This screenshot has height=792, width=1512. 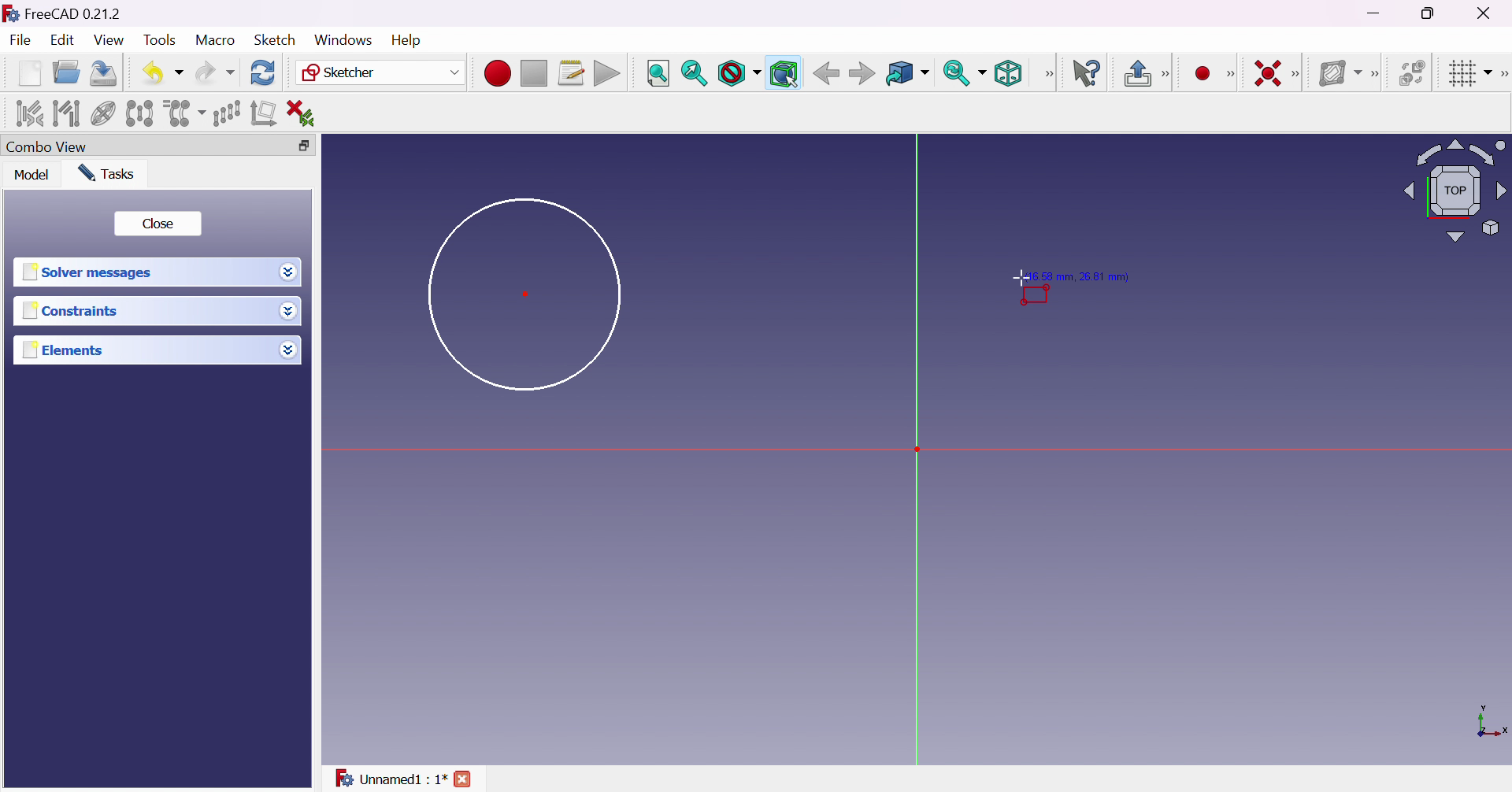 I want to click on Dot, so click(x=527, y=293).